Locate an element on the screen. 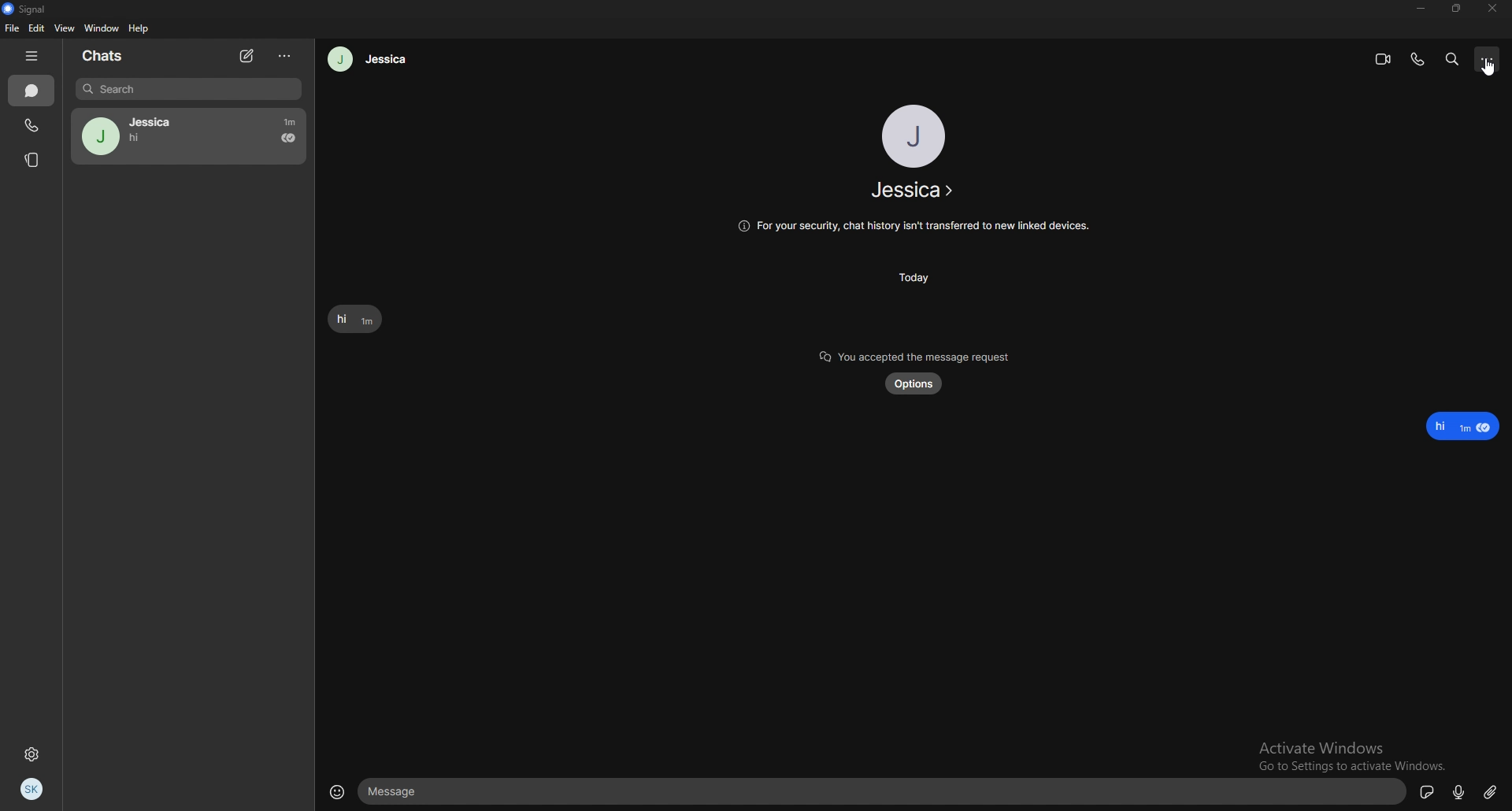  Options is located at coordinates (285, 57).